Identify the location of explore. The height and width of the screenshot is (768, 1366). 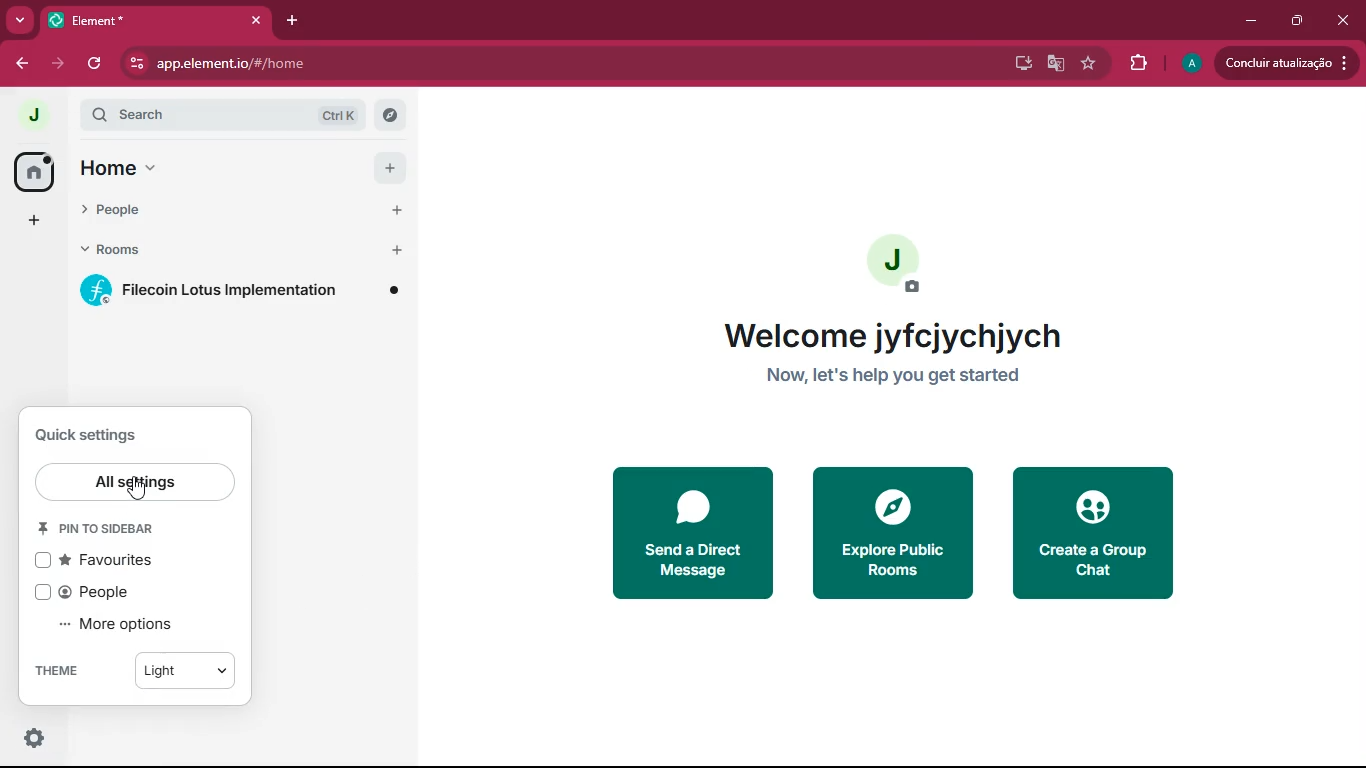
(390, 118).